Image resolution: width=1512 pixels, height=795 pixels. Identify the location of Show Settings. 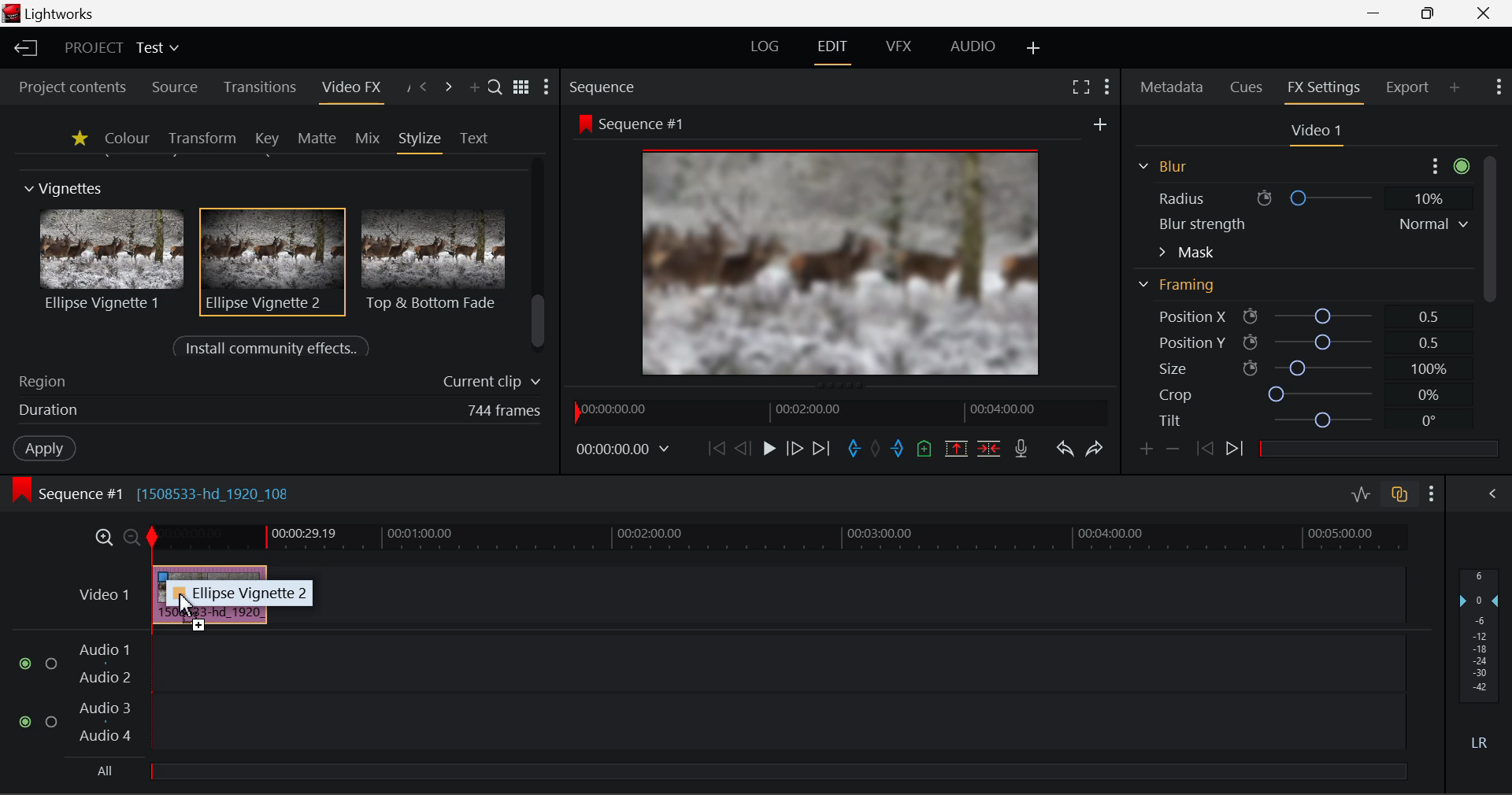
(1432, 491).